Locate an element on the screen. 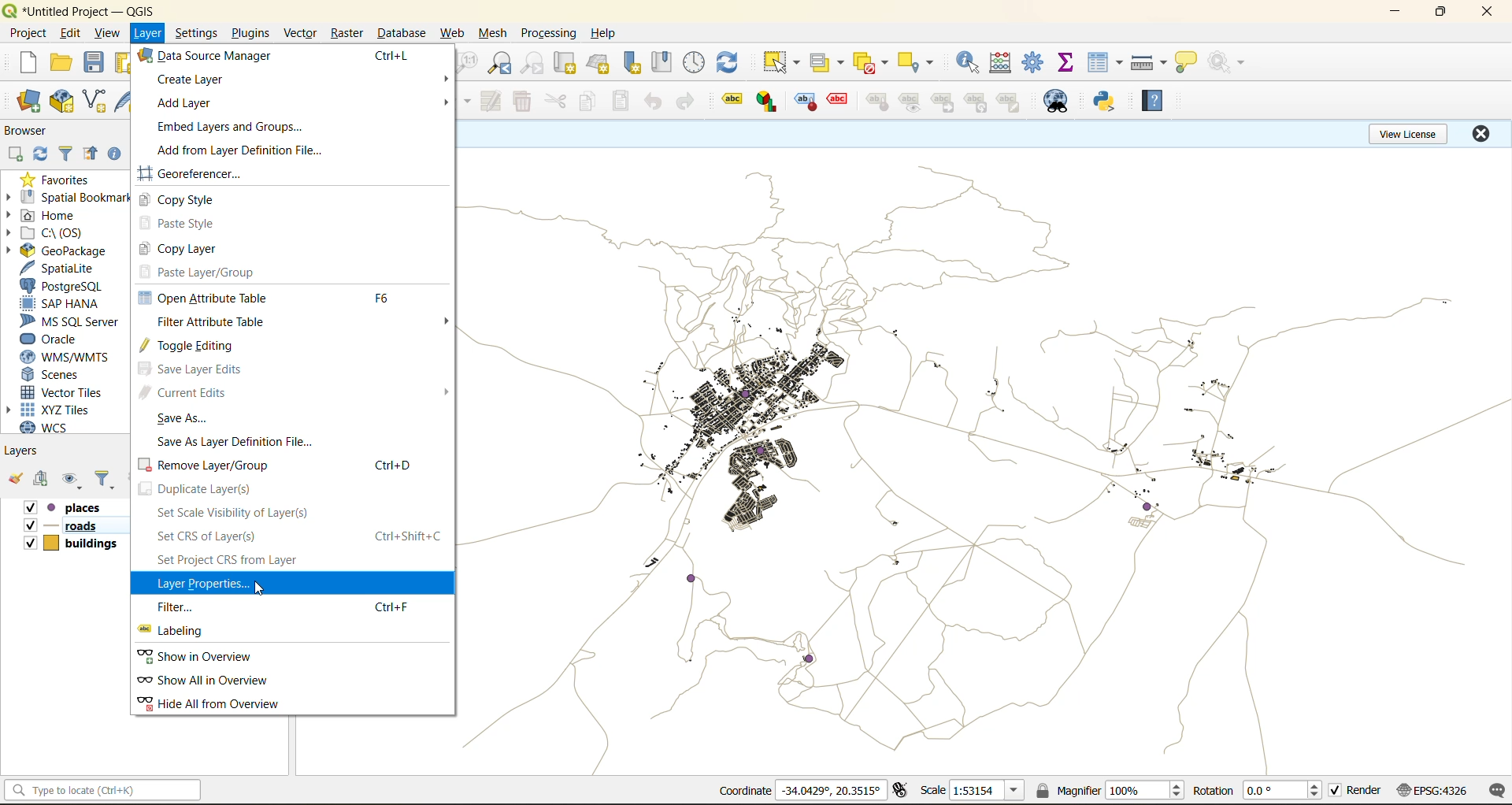 The width and height of the screenshot is (1512, 805). create layer is located at coordinates (187, 80).